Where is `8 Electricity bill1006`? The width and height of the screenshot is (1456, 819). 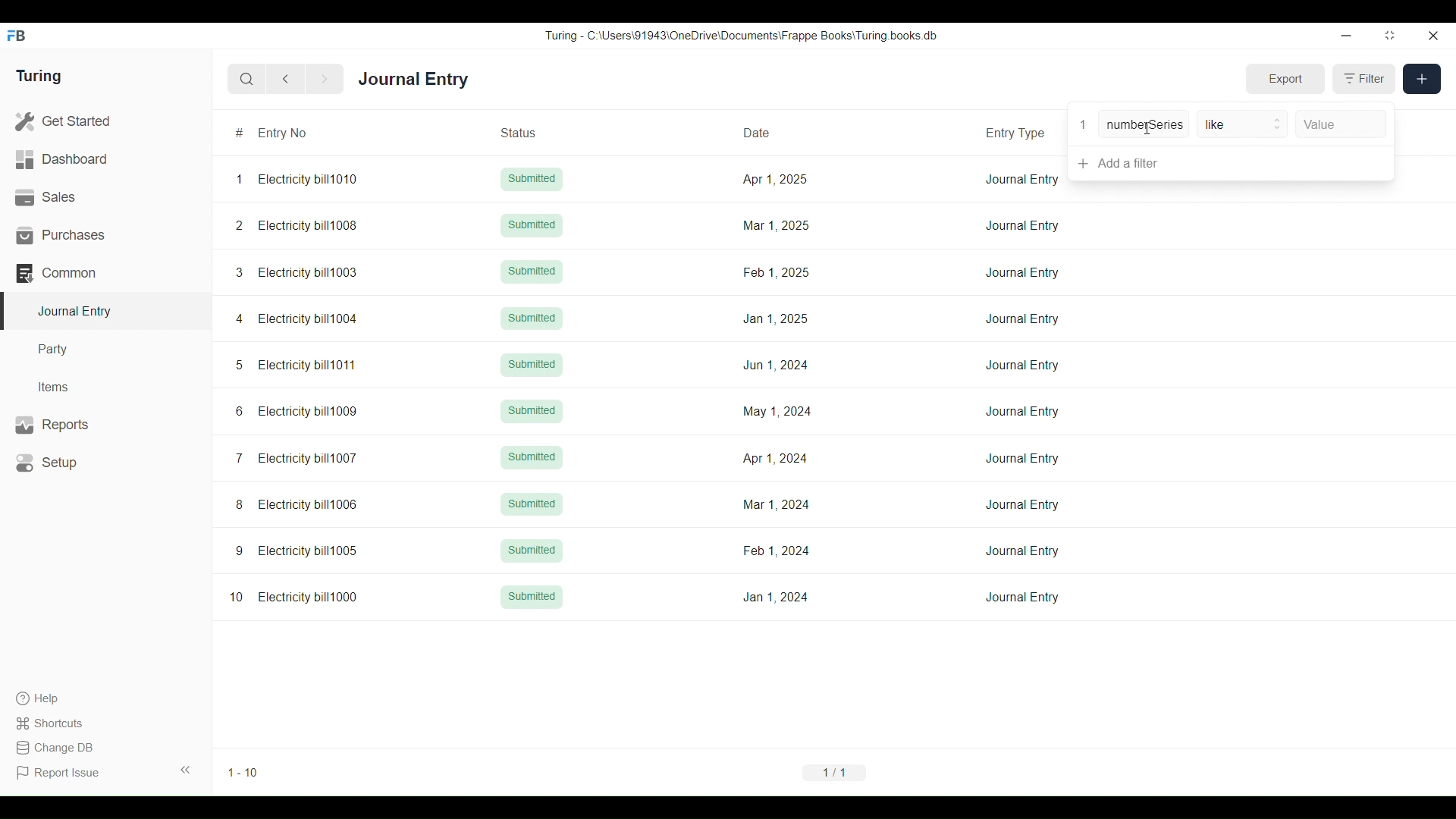
8 Electricity bill1006 is located at coordinates (297, 504).